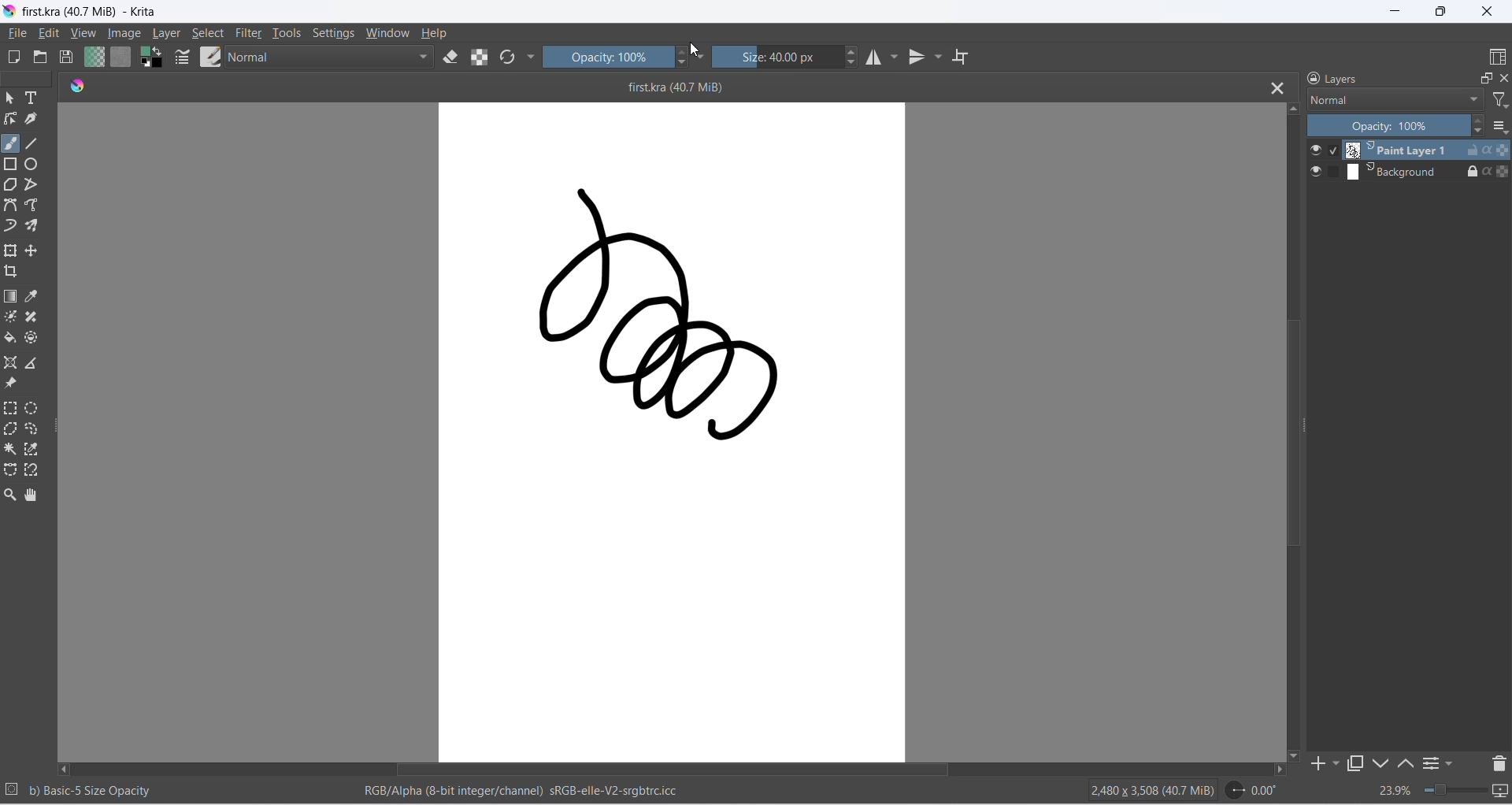 The width and height of the screenshot is (1512, 805). I want to click on Lock layer, so click(1467, 172).